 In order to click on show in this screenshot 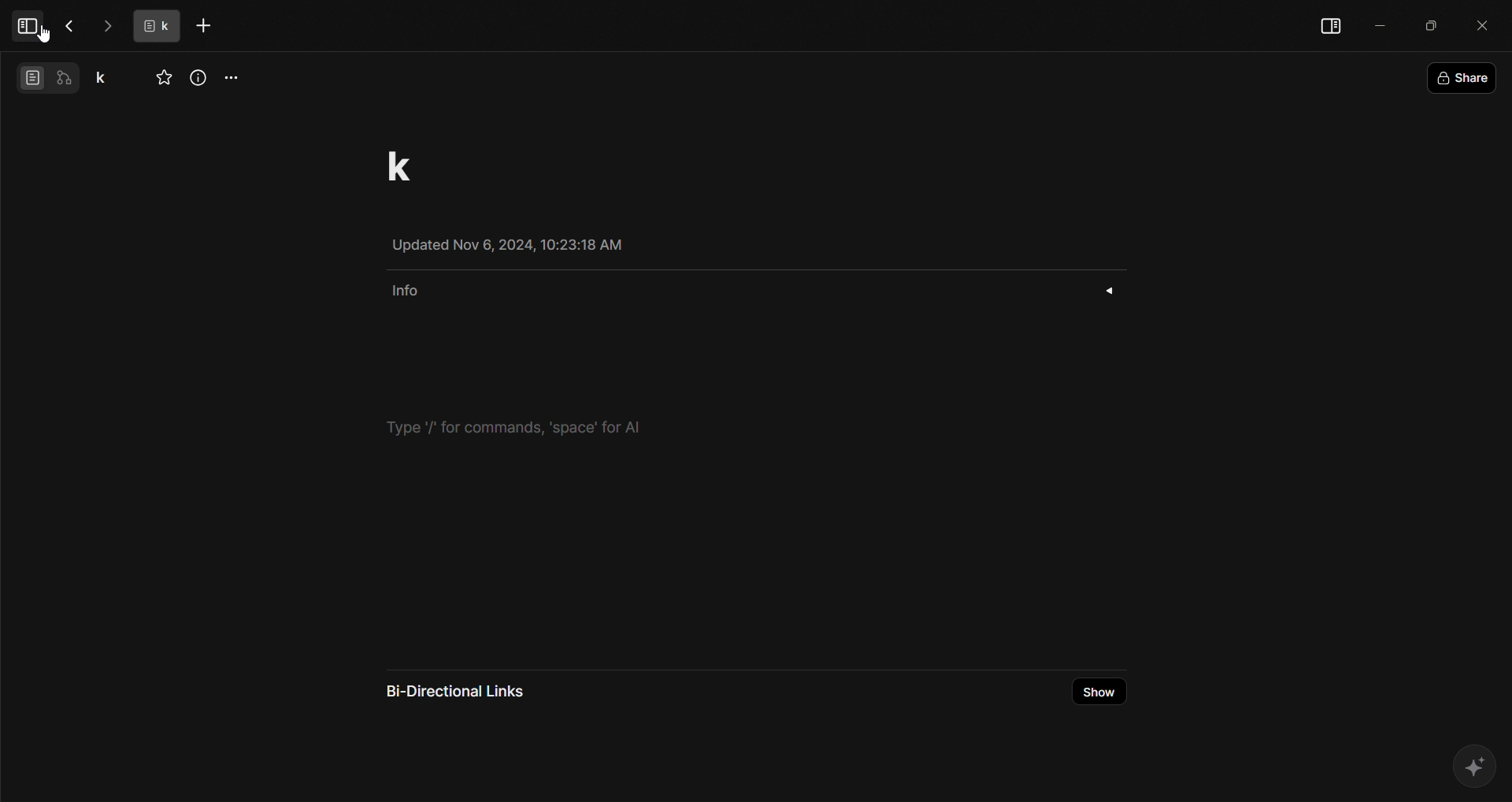, I will do `click(1102, 692)`.